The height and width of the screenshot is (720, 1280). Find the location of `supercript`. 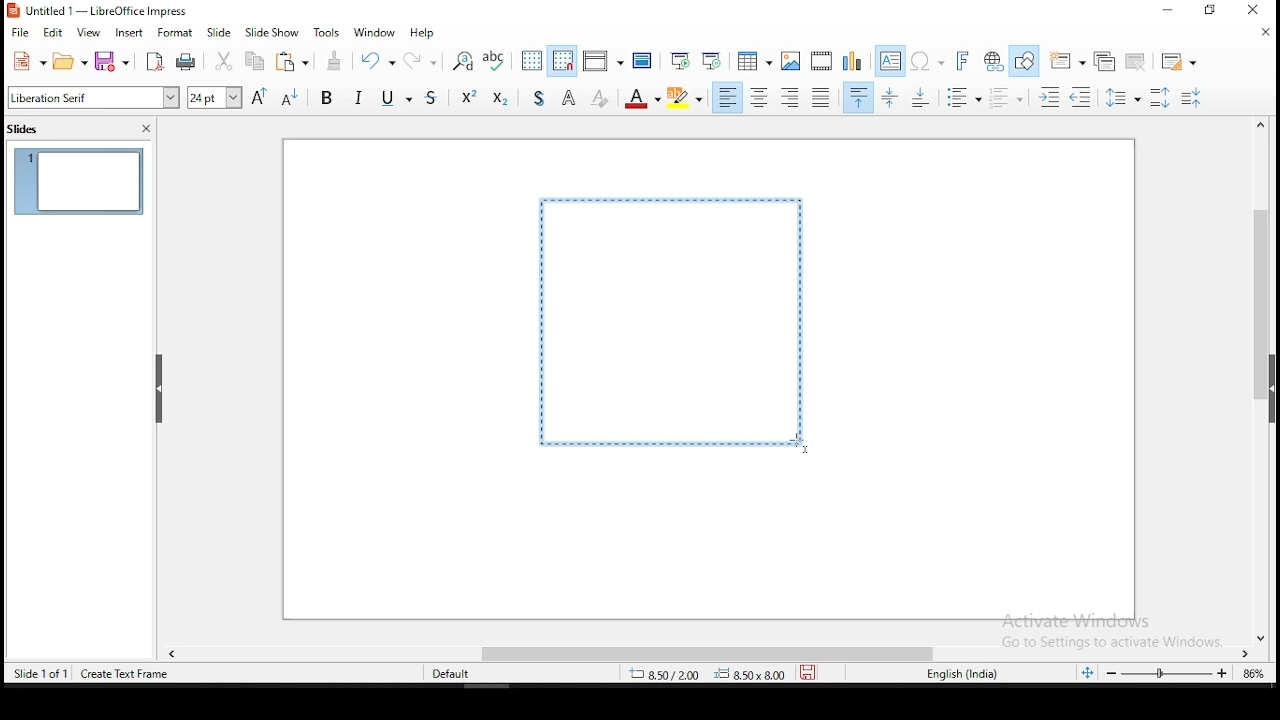

supercript is located at coordinates (464, 99).